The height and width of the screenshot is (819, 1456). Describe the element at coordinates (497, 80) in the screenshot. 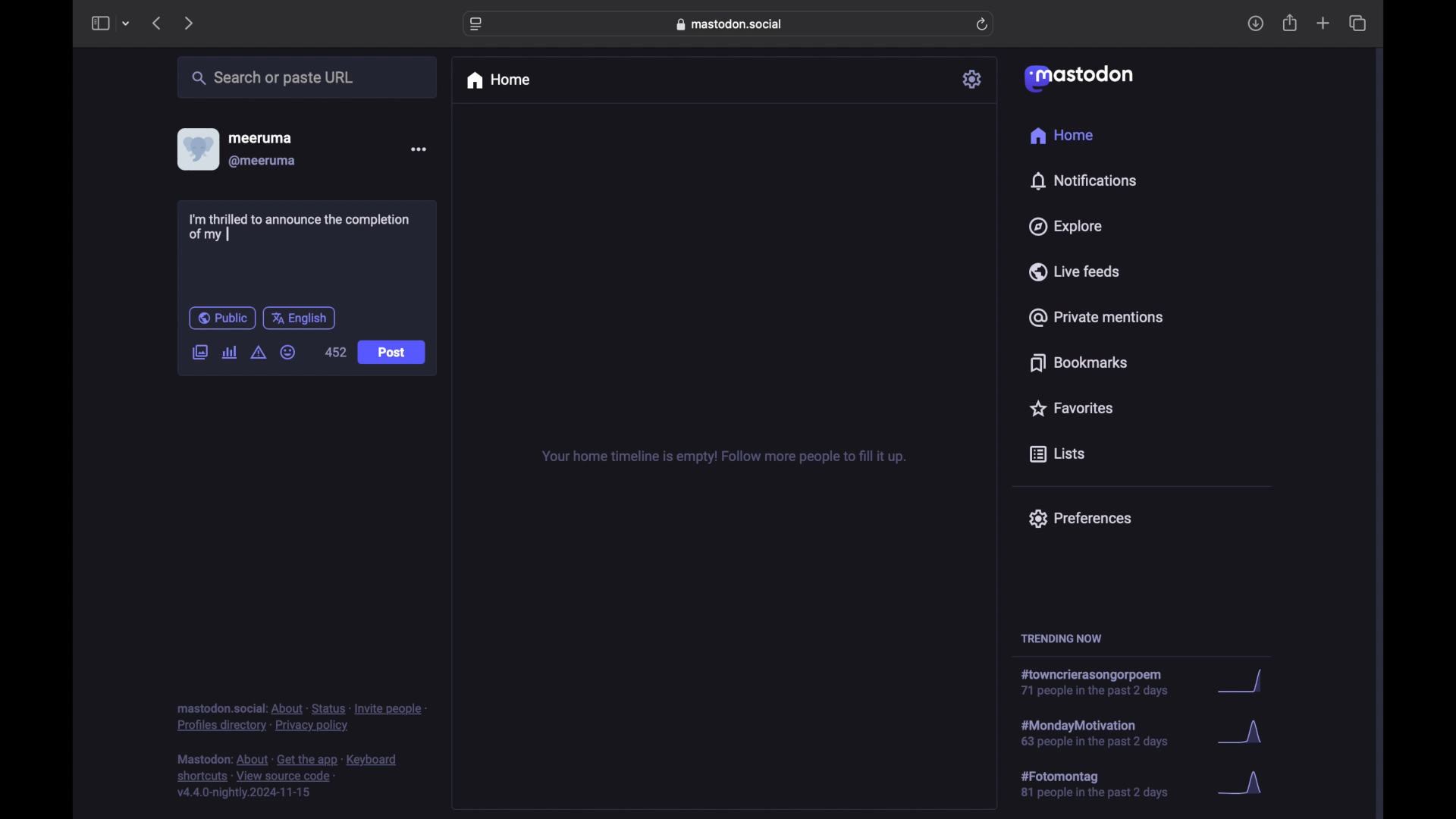

I see `home` at that location.